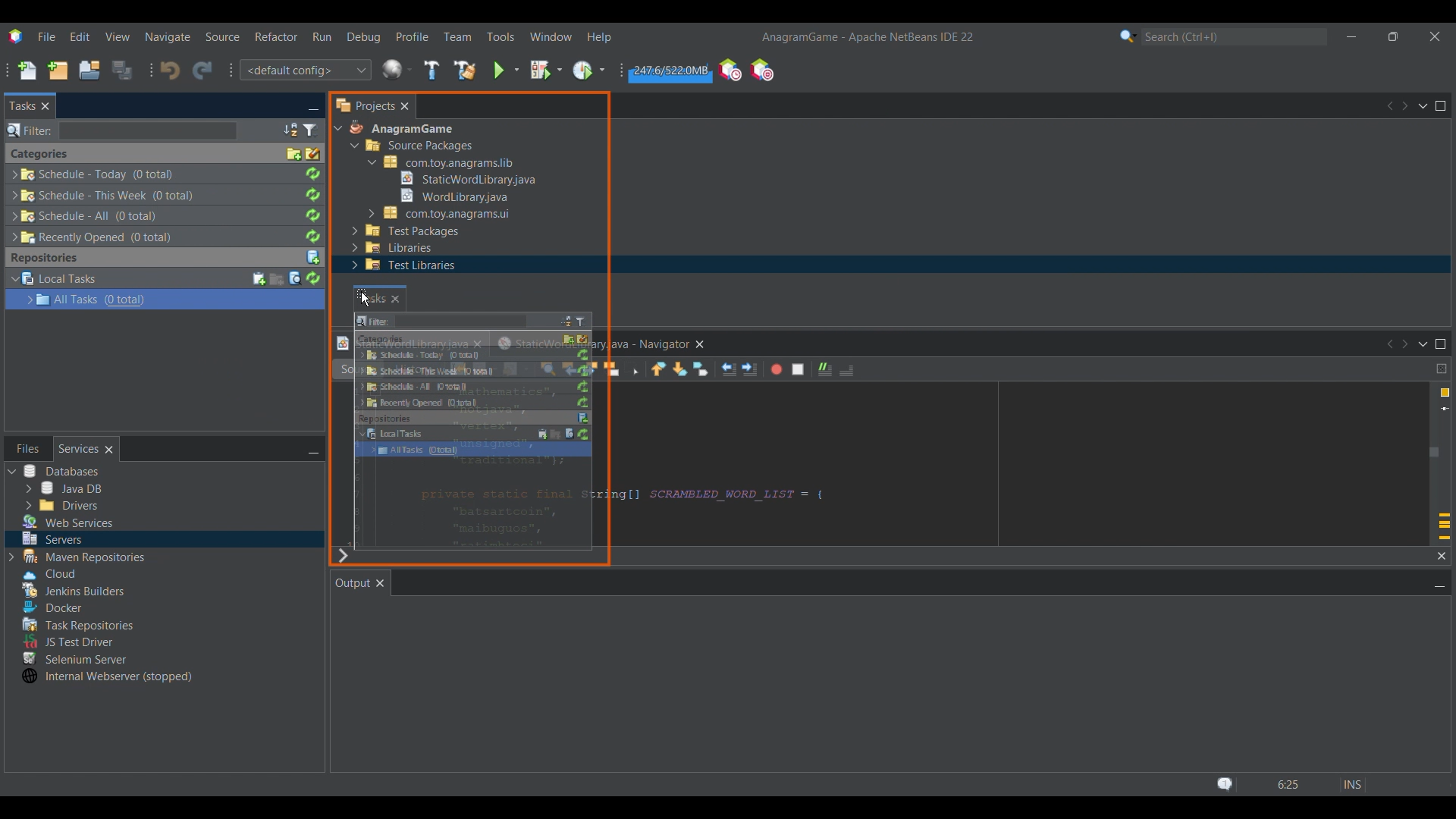 The width and height of the screenshot is (1456, 819). Describe the element at coordinates (867, 38) in the screenshot. I see `Software name and version` at that location.